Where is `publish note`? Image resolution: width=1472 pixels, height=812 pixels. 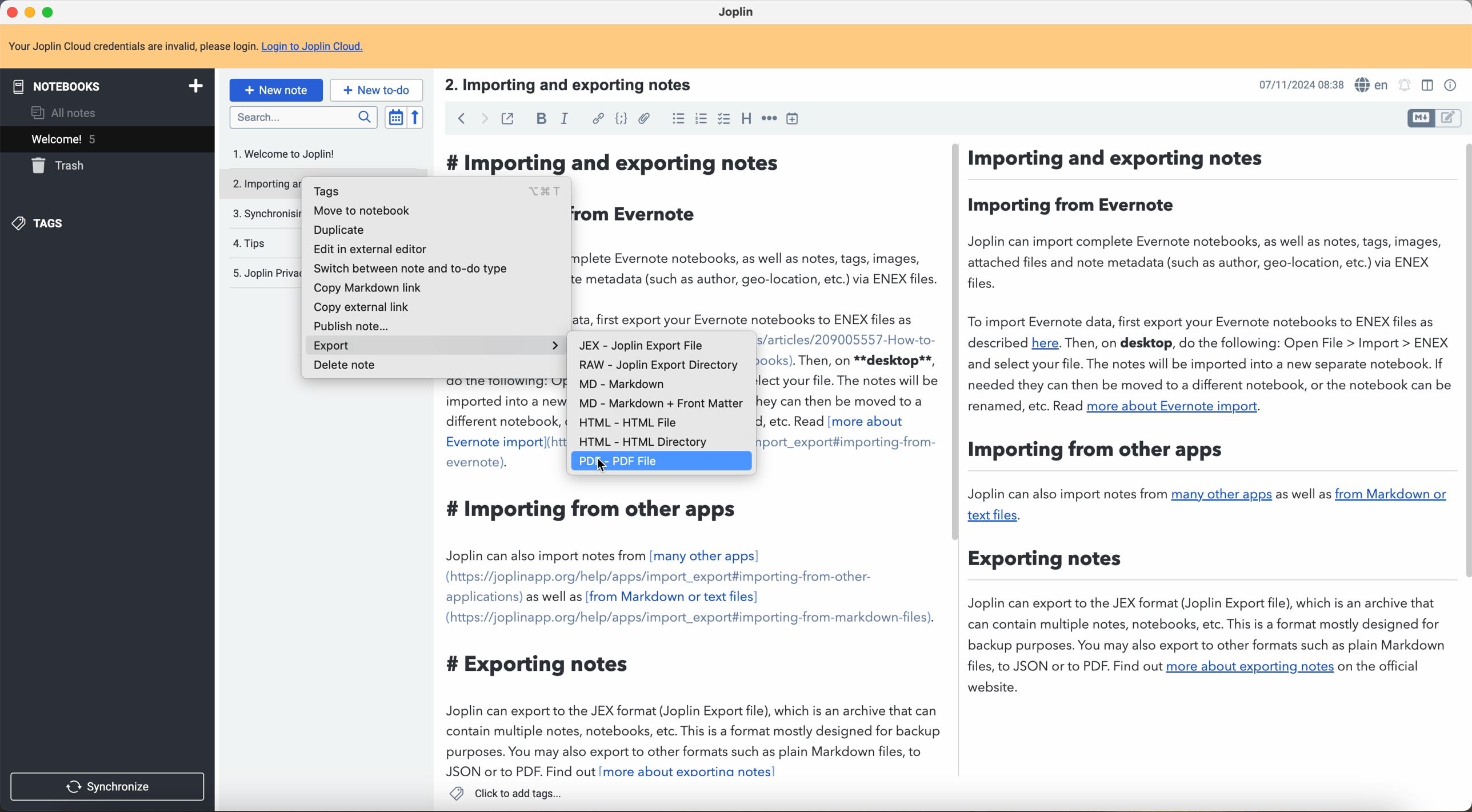 publish note is located at coordinates (350, 325).